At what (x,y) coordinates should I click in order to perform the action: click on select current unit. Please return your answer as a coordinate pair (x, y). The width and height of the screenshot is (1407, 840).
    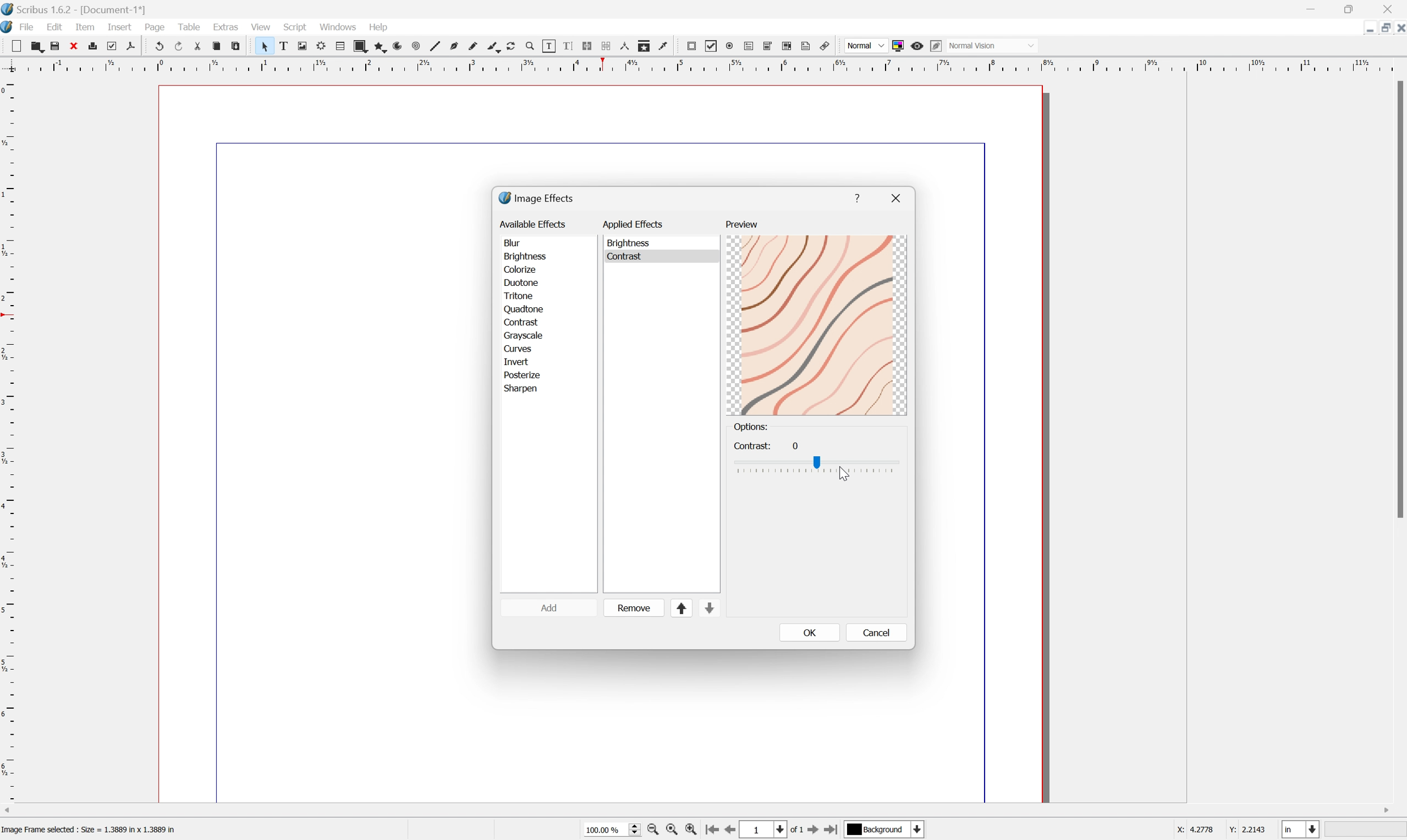
    Looking at the image, I should click on (1302, 829).